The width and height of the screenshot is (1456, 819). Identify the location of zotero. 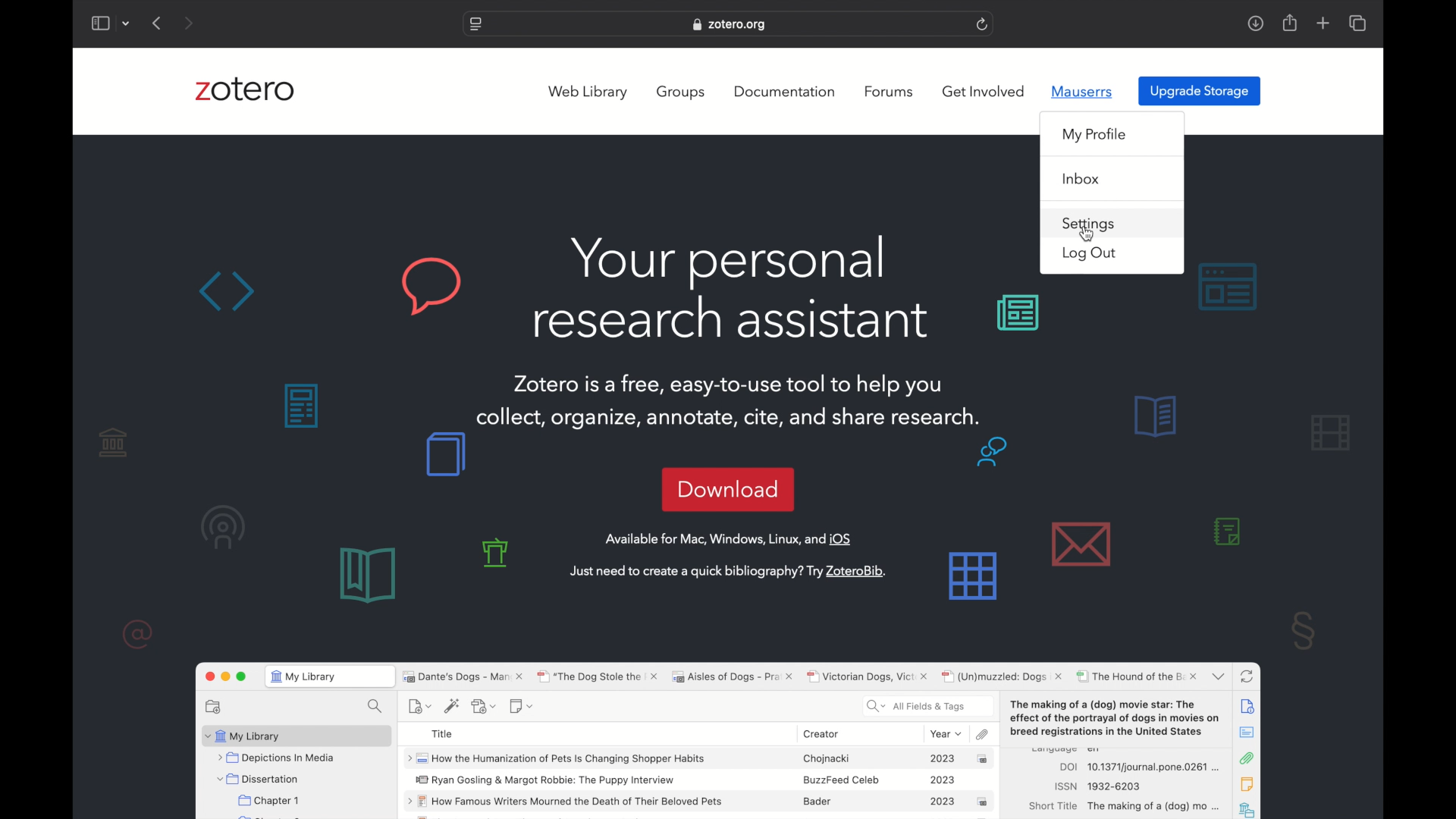
(246, 89).